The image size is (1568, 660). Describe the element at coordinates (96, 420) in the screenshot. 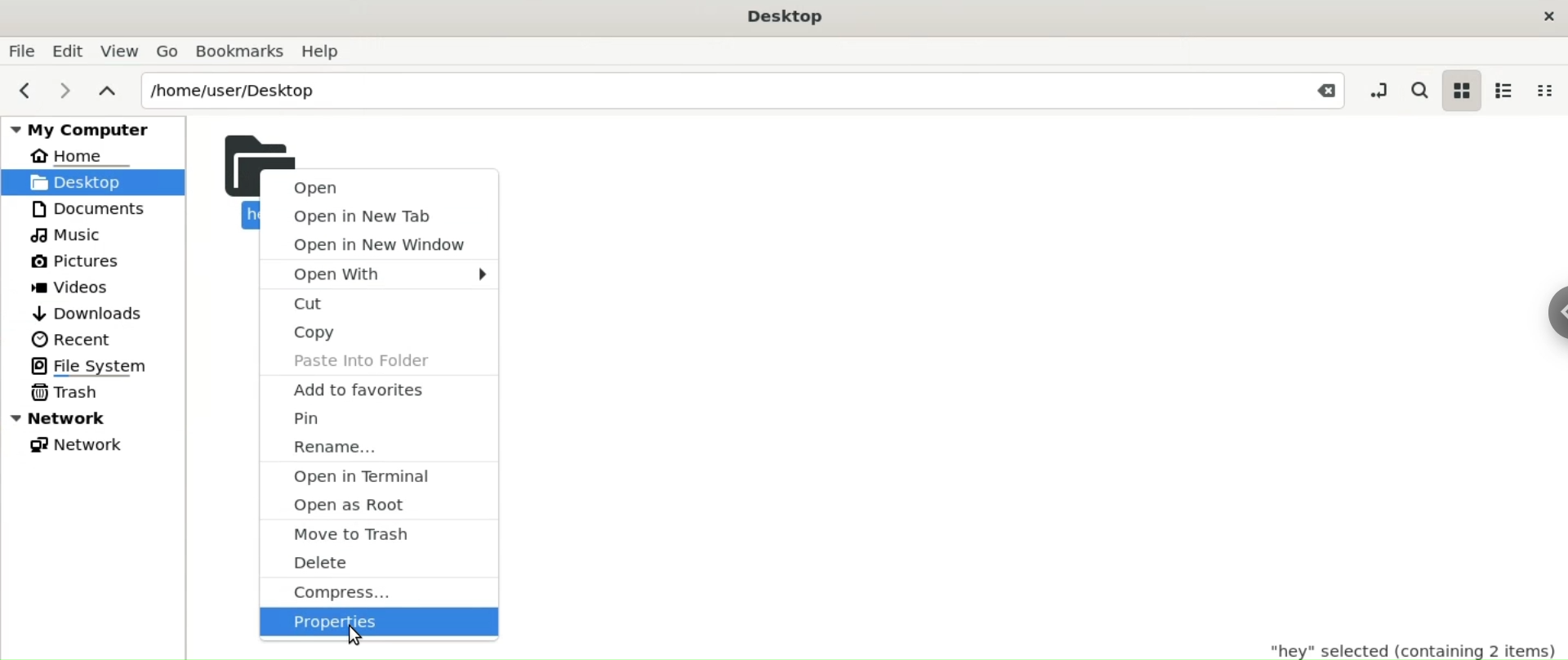

I see `Network` at that location.